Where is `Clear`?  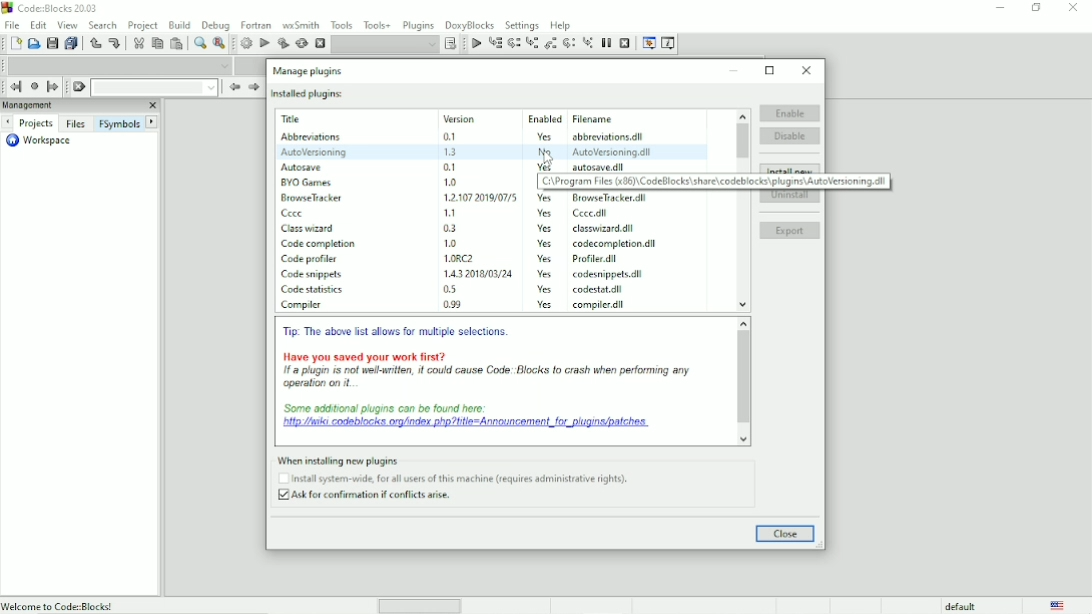 Clear is located at coordinates (79, 87).